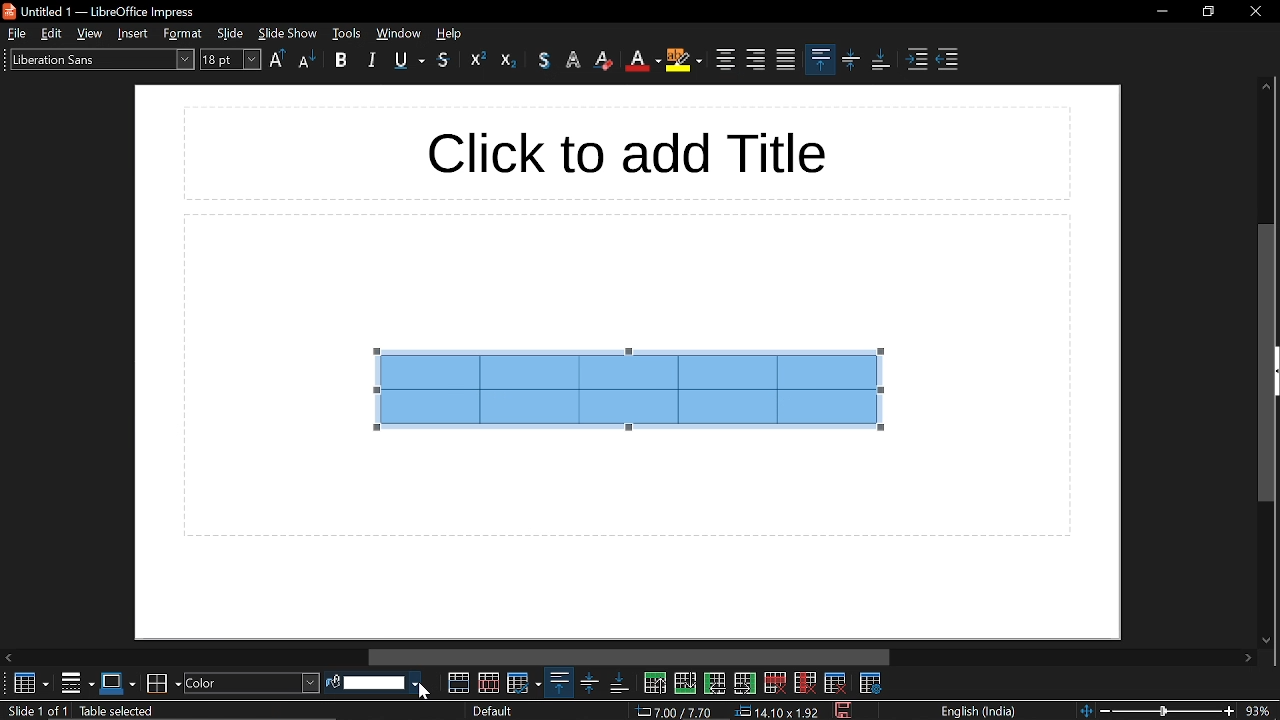  I want to click on slide style, so click(494, 711).